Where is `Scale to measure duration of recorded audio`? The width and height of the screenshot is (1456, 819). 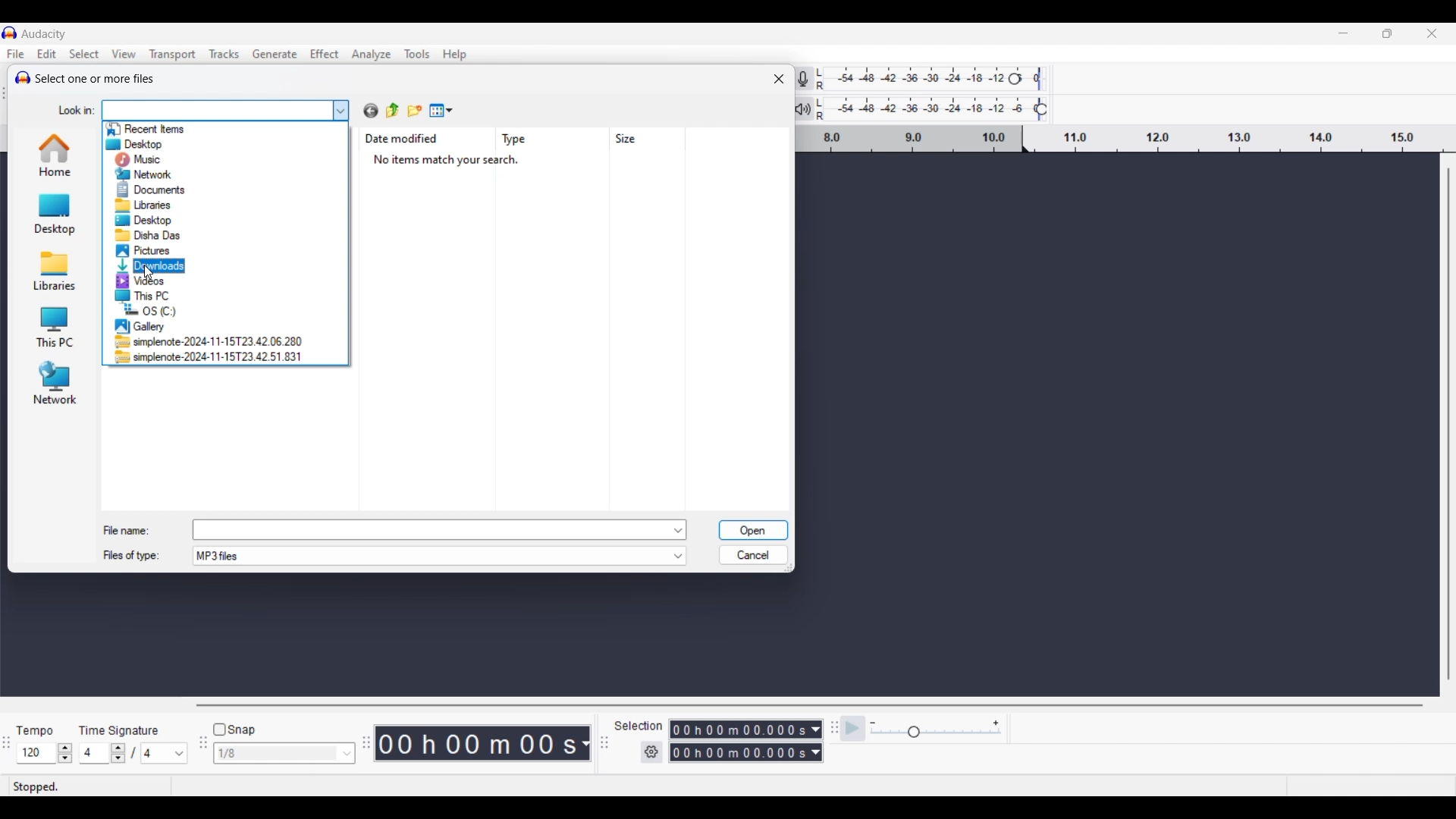
Scale to measure duration of recorded audio is located at coordinates (1129, 140).